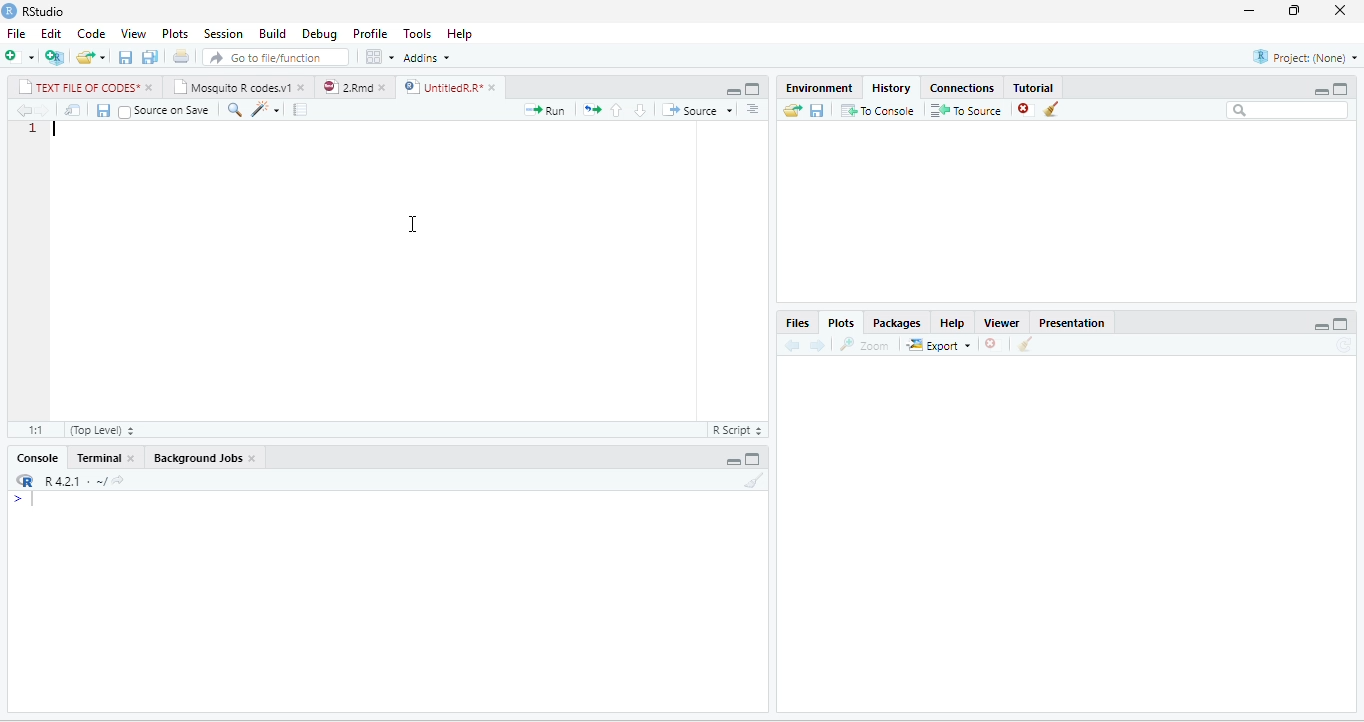 The image size is (1364, 722). Describe the element at coordinates (16, 34) in the screenshot. I see `File` at that location.